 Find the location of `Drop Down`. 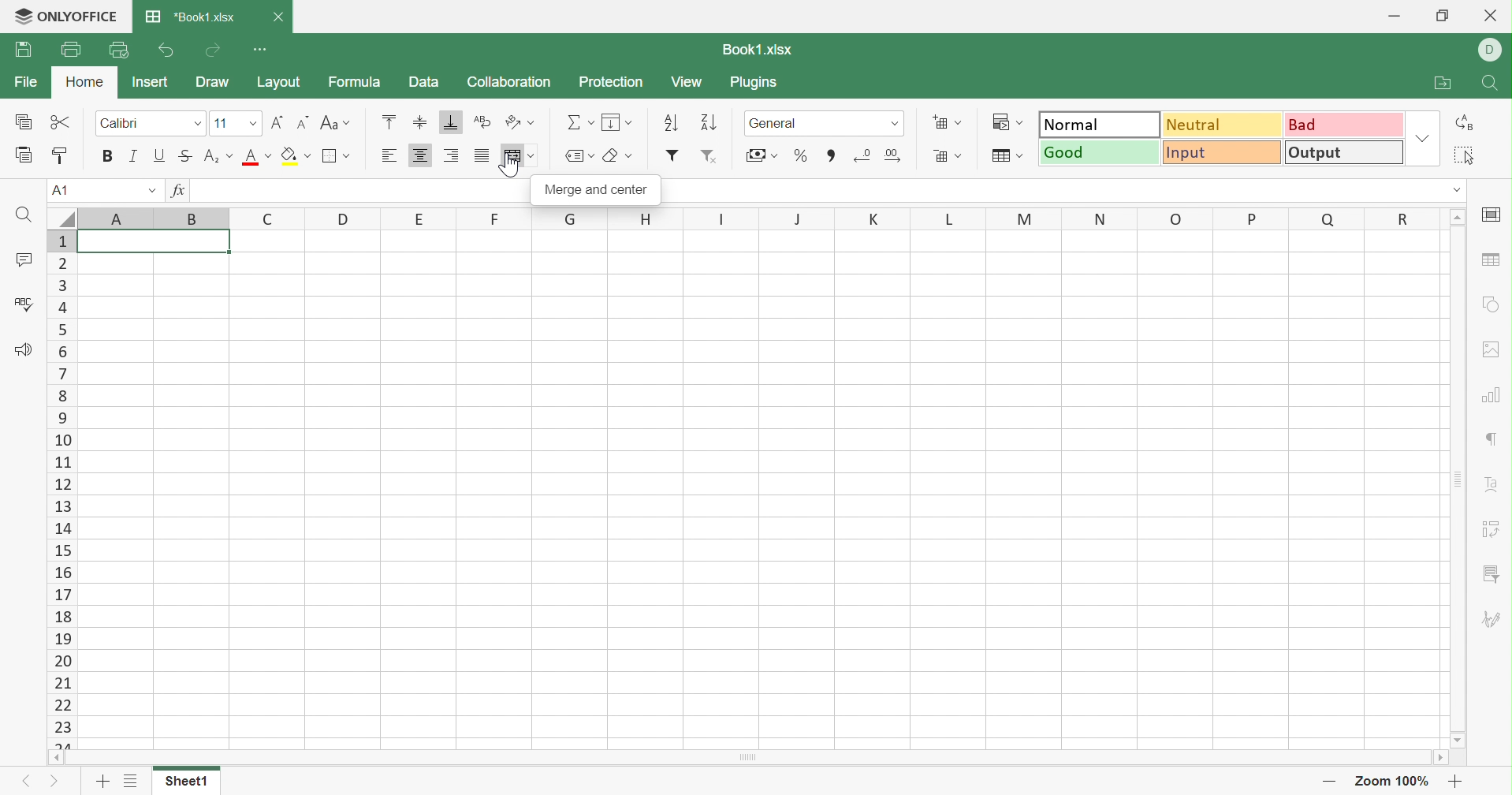

Drop Down is located at coordinates (1454, 191).